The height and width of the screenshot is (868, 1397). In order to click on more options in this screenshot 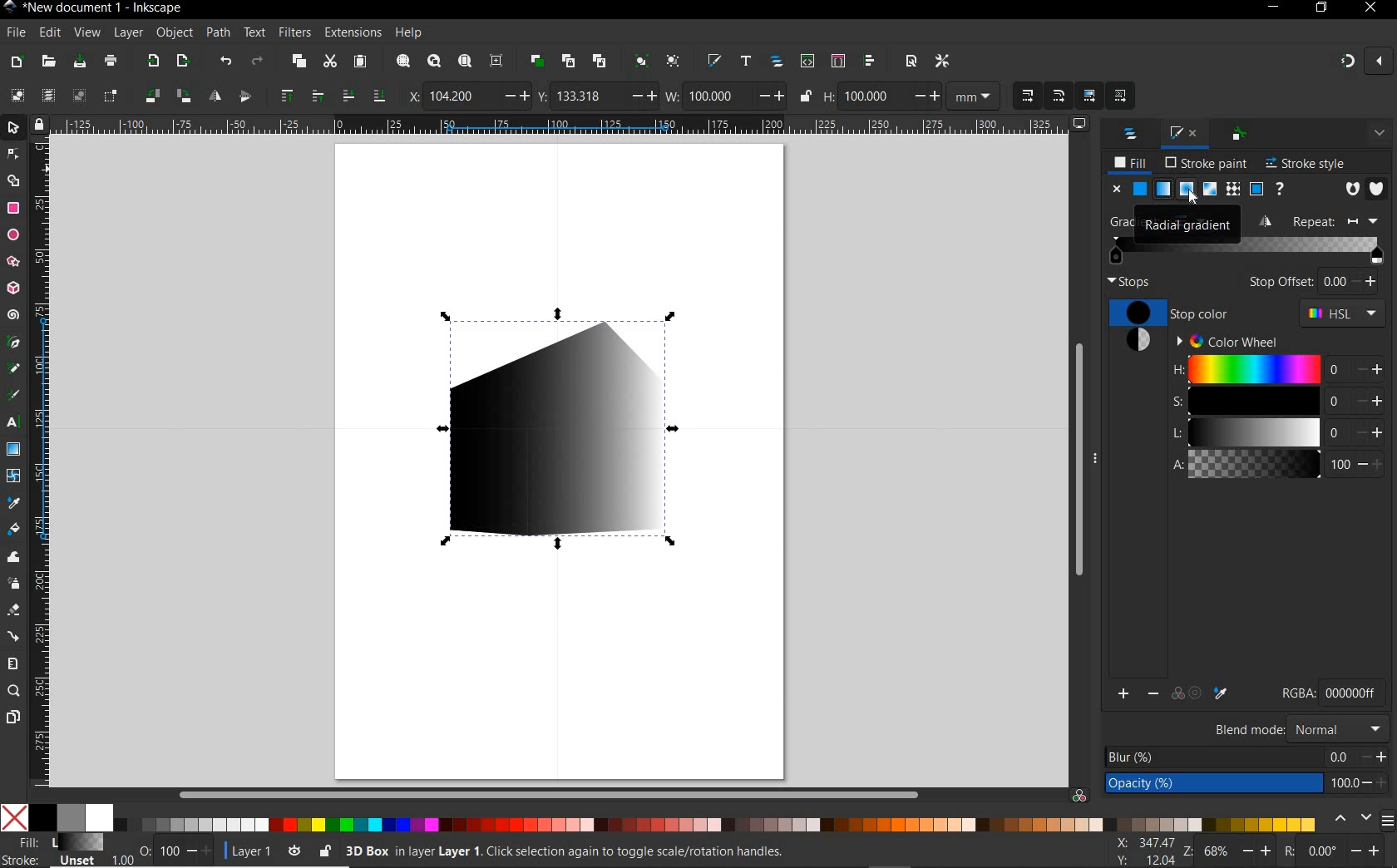, I will do `click(1097, 460)`.